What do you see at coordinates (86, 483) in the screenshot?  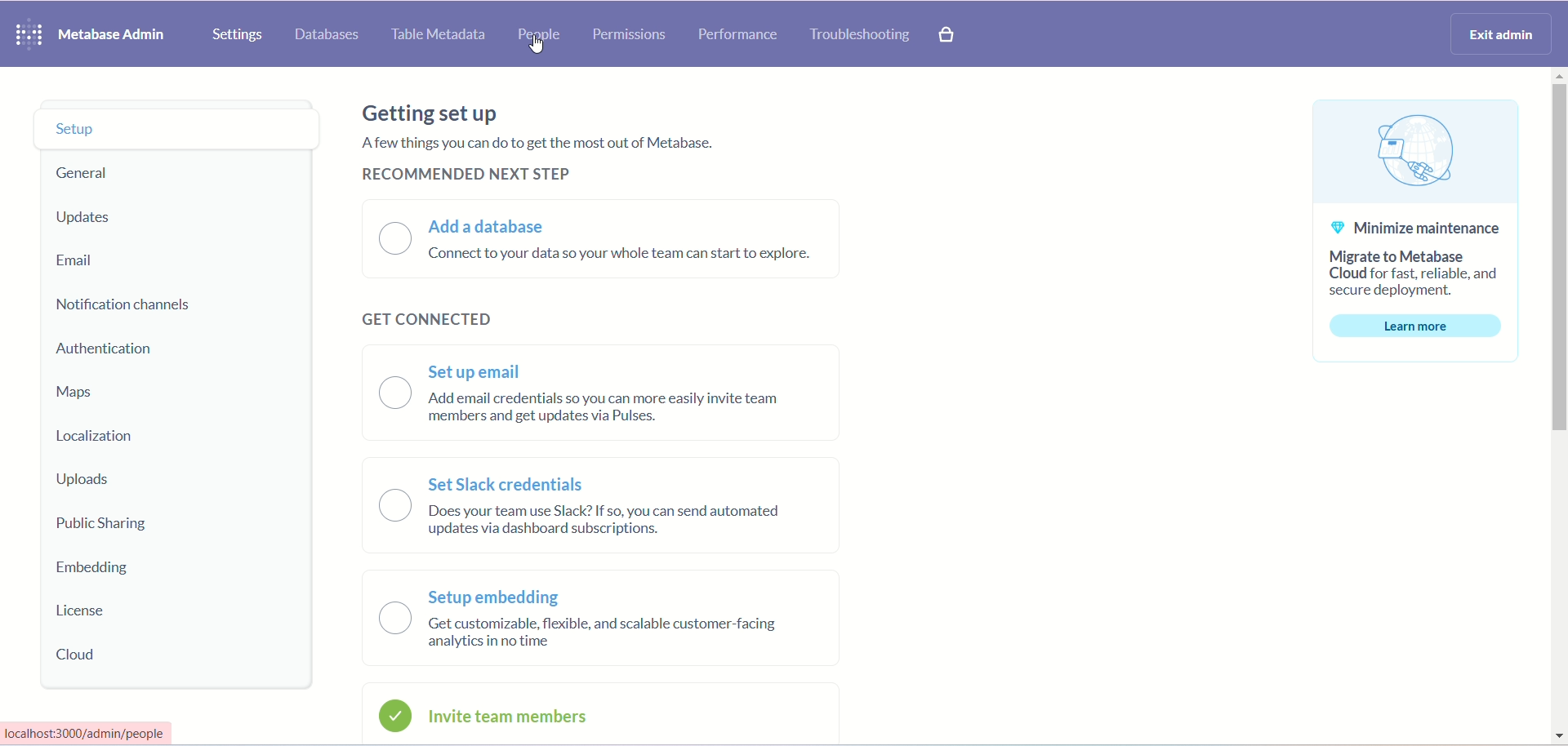 I see `uploads` at bounding box center [86, 483].